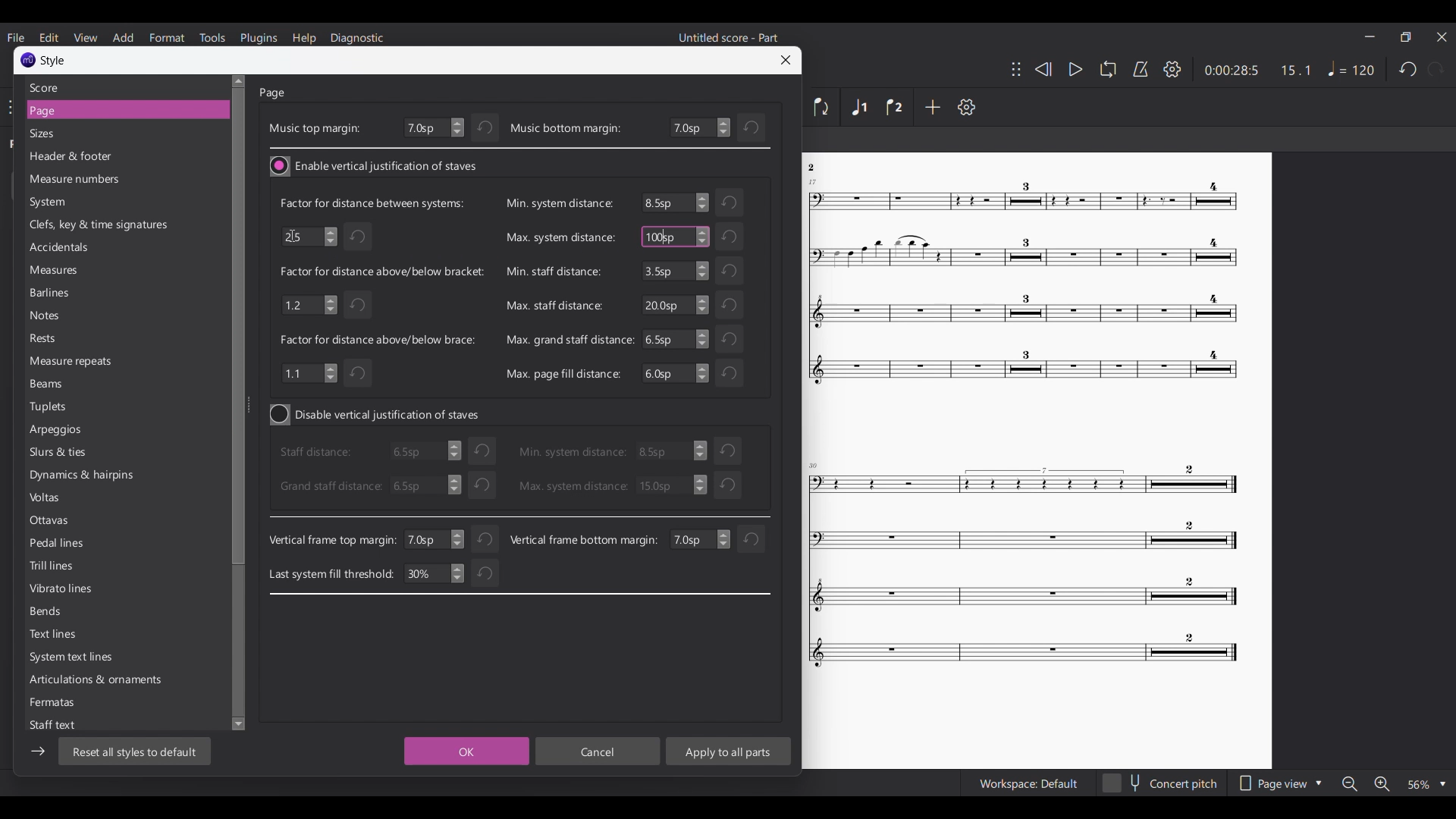 Image resolution: width=1456 pixels, height=819 pixels. Describe the element at coordinates (1028, 784) in the screenshot. I see `Workspace Default` at that location.